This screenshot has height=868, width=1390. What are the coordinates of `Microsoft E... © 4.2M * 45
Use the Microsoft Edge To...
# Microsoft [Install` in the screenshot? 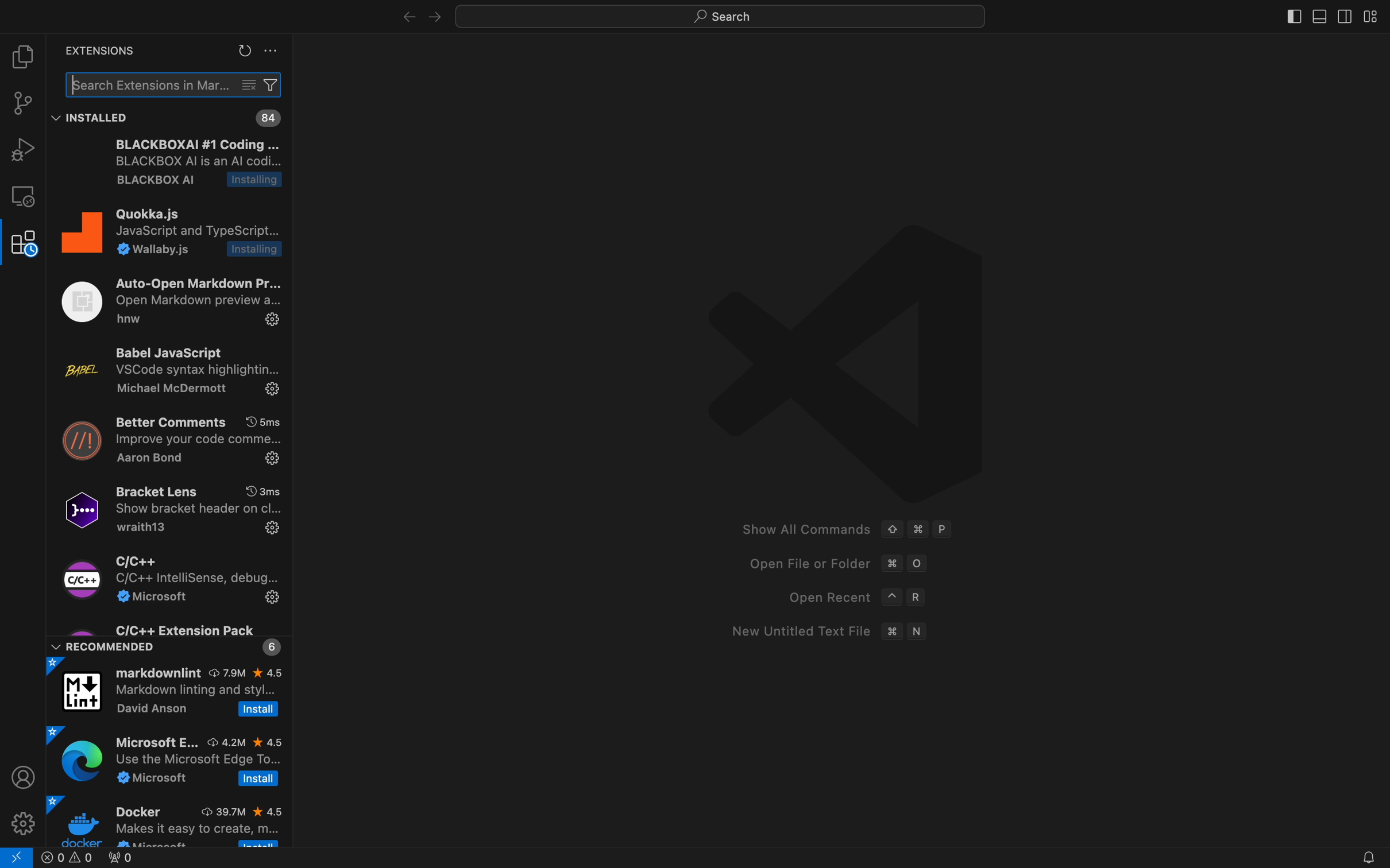 It's located at (169, 759).